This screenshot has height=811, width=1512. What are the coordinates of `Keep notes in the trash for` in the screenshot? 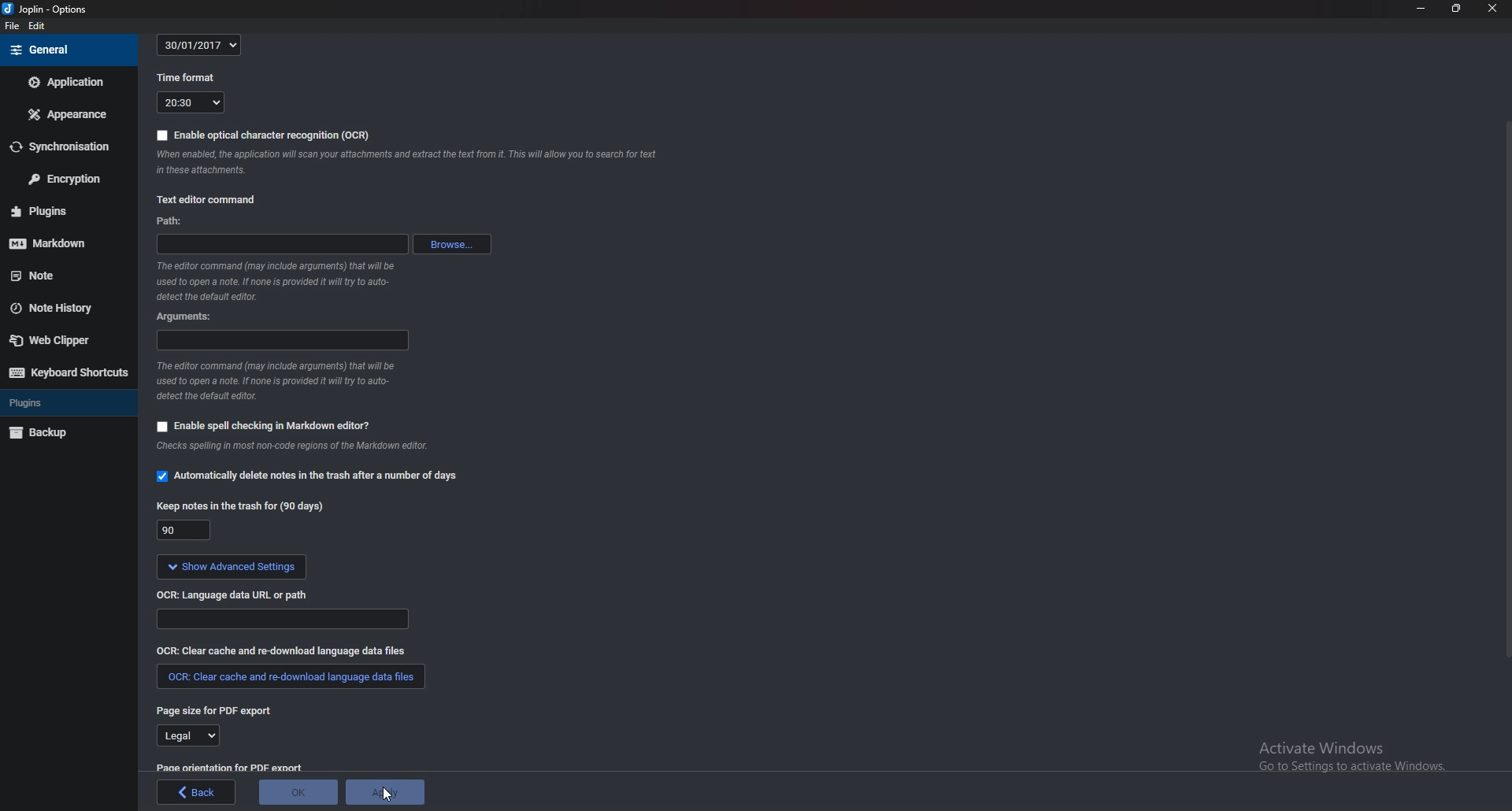 It's located at (239, 503).